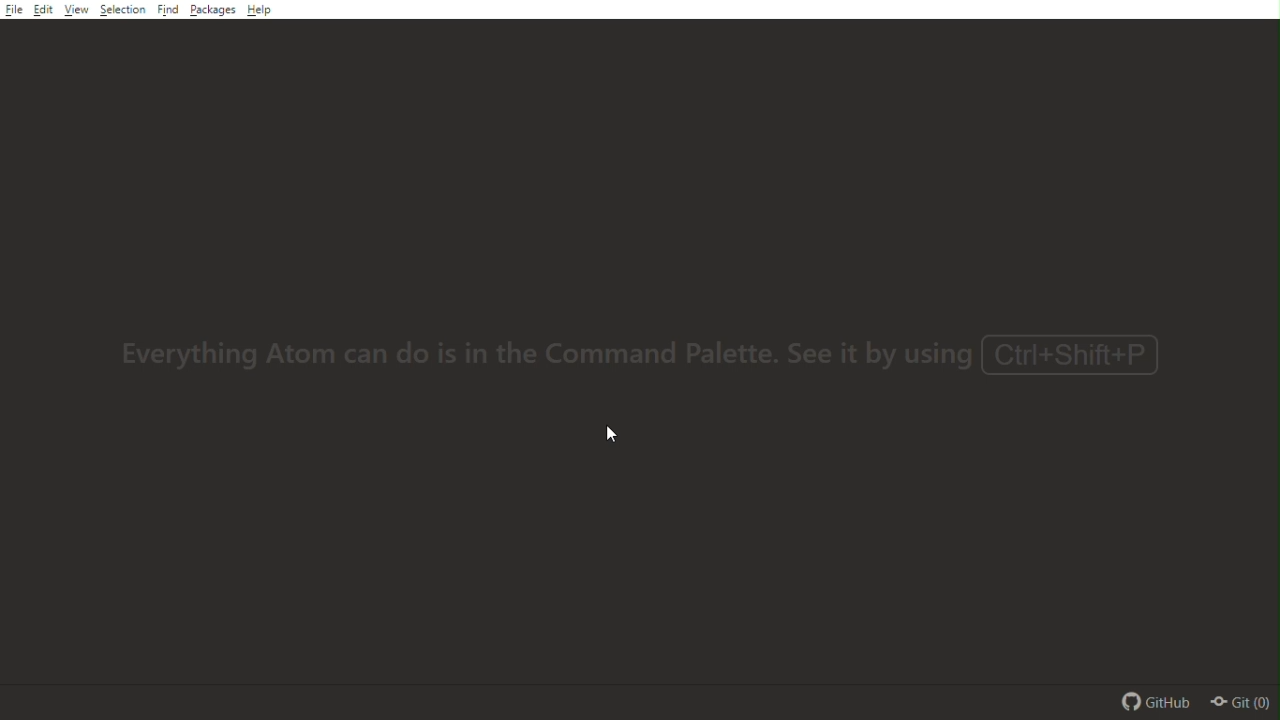 This screenshot has height=720, width=1280. I want to click on Packages, so click(213, 13).